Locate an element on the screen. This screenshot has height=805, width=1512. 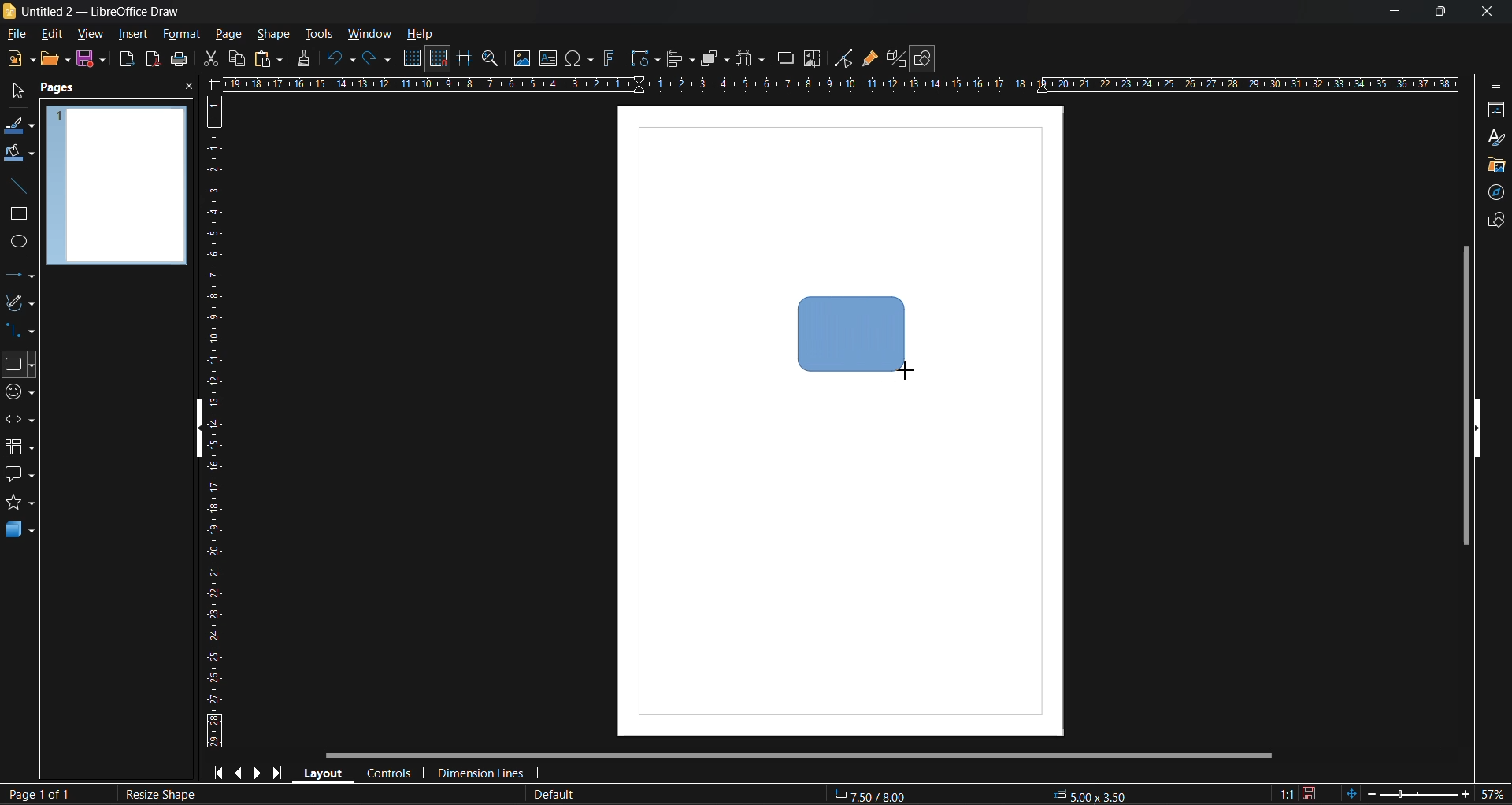
vertical scroll bar is located at coordinates (1462, 395).